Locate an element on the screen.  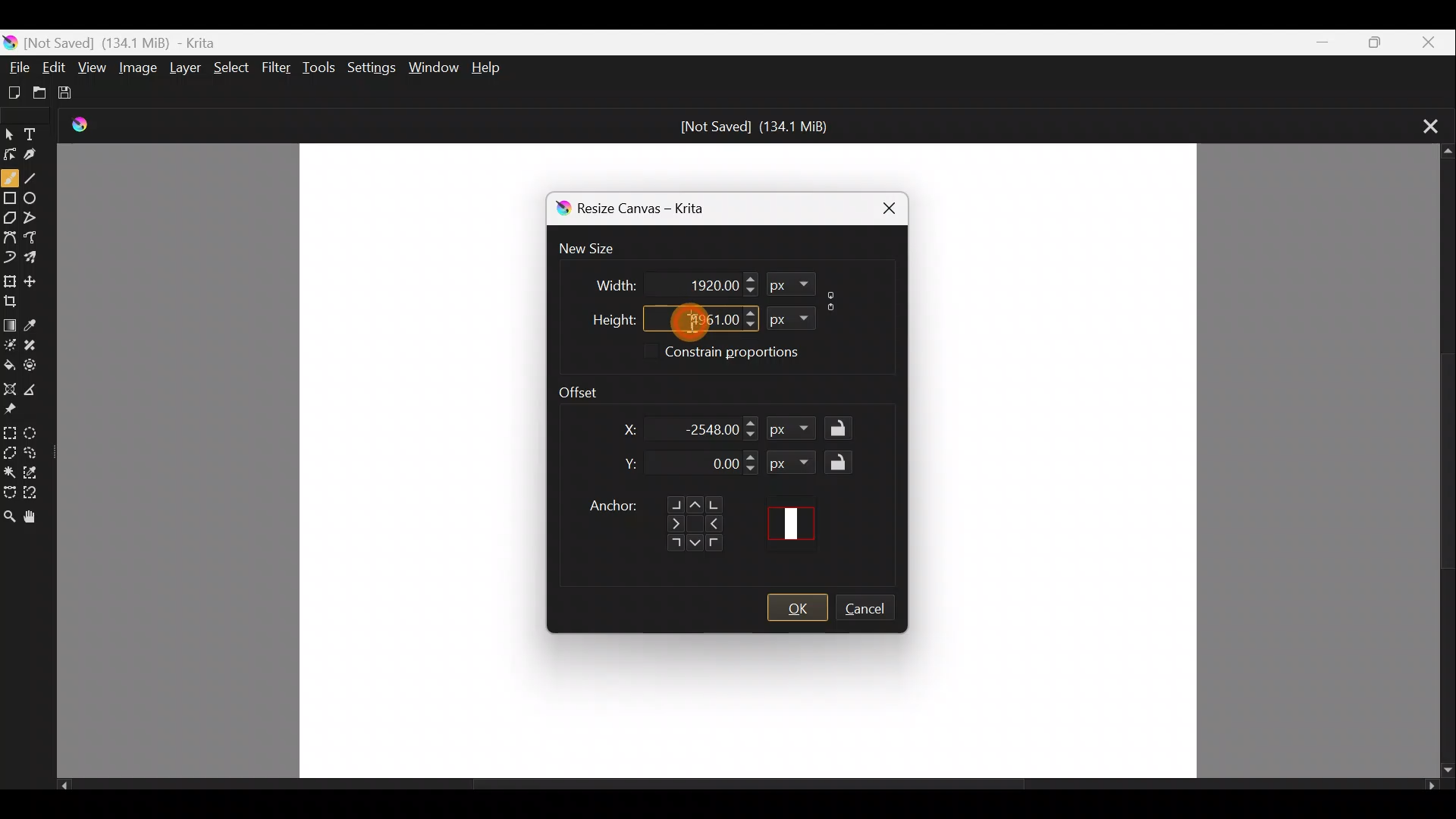
Tools is located at coordinates (322, 68).